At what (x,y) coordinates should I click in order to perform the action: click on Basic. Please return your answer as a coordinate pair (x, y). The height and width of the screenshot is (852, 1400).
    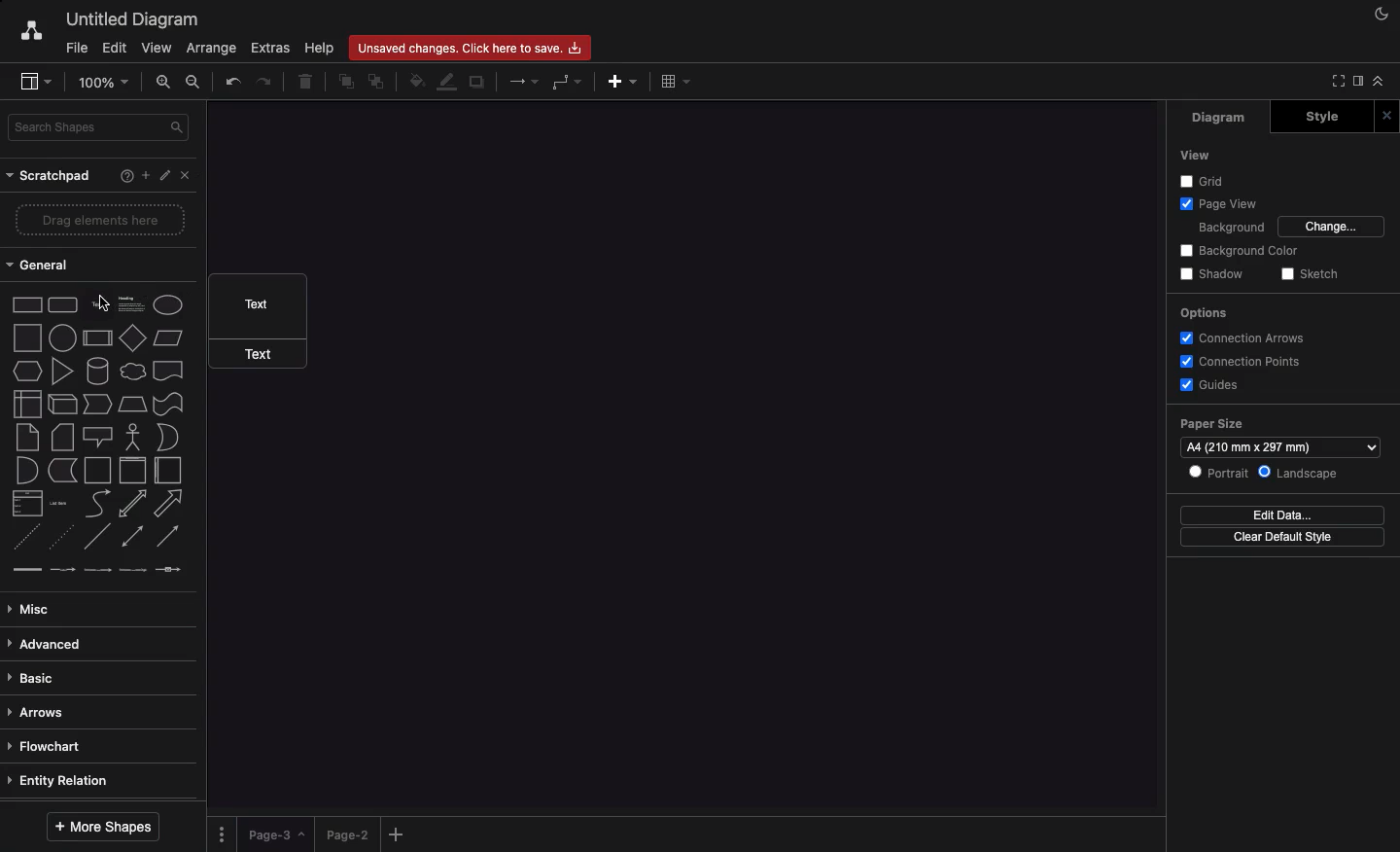
    Looking at the image, I should click on (34, 679).